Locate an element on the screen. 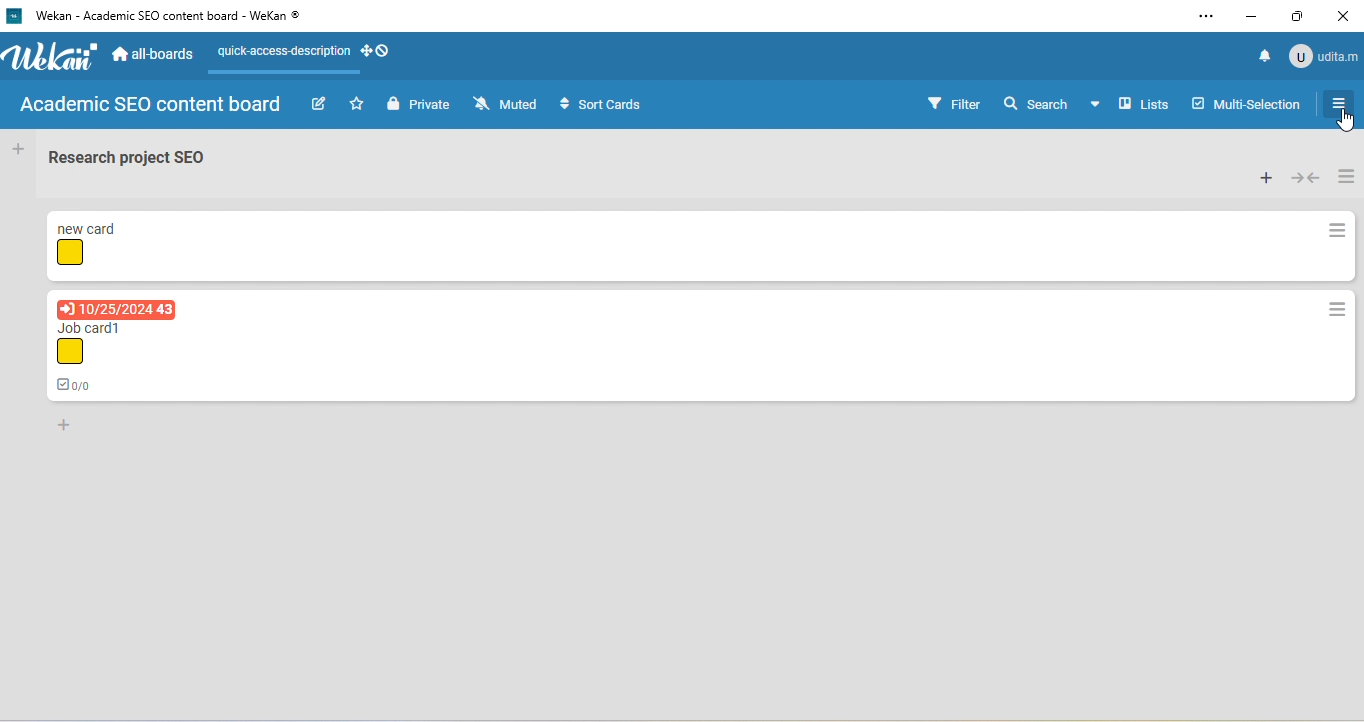  new card is located at coordinates (91, 226).